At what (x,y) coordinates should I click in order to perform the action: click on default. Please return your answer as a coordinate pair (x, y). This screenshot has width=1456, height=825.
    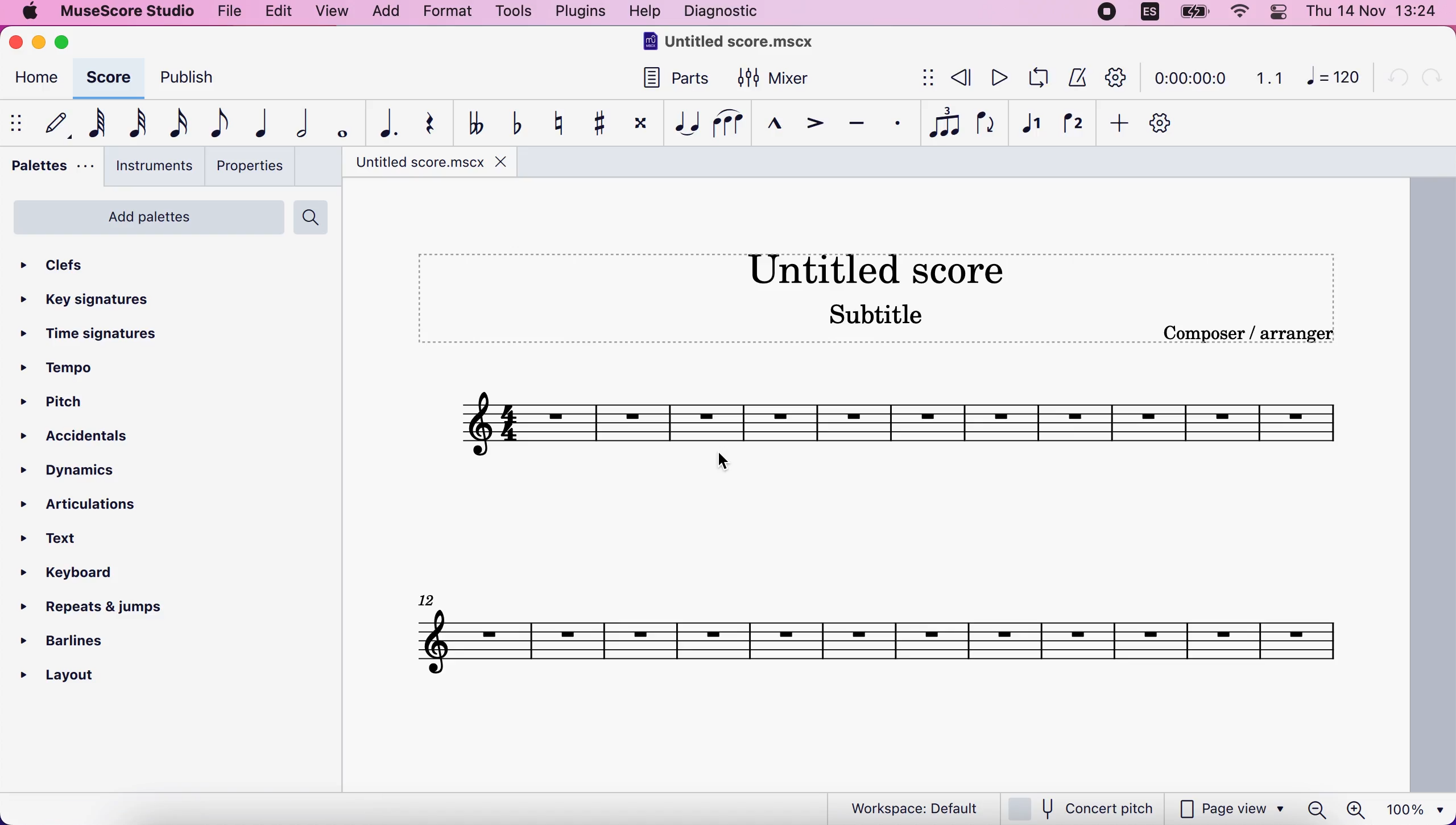
    Looking at the image, I should click on (53, 126).